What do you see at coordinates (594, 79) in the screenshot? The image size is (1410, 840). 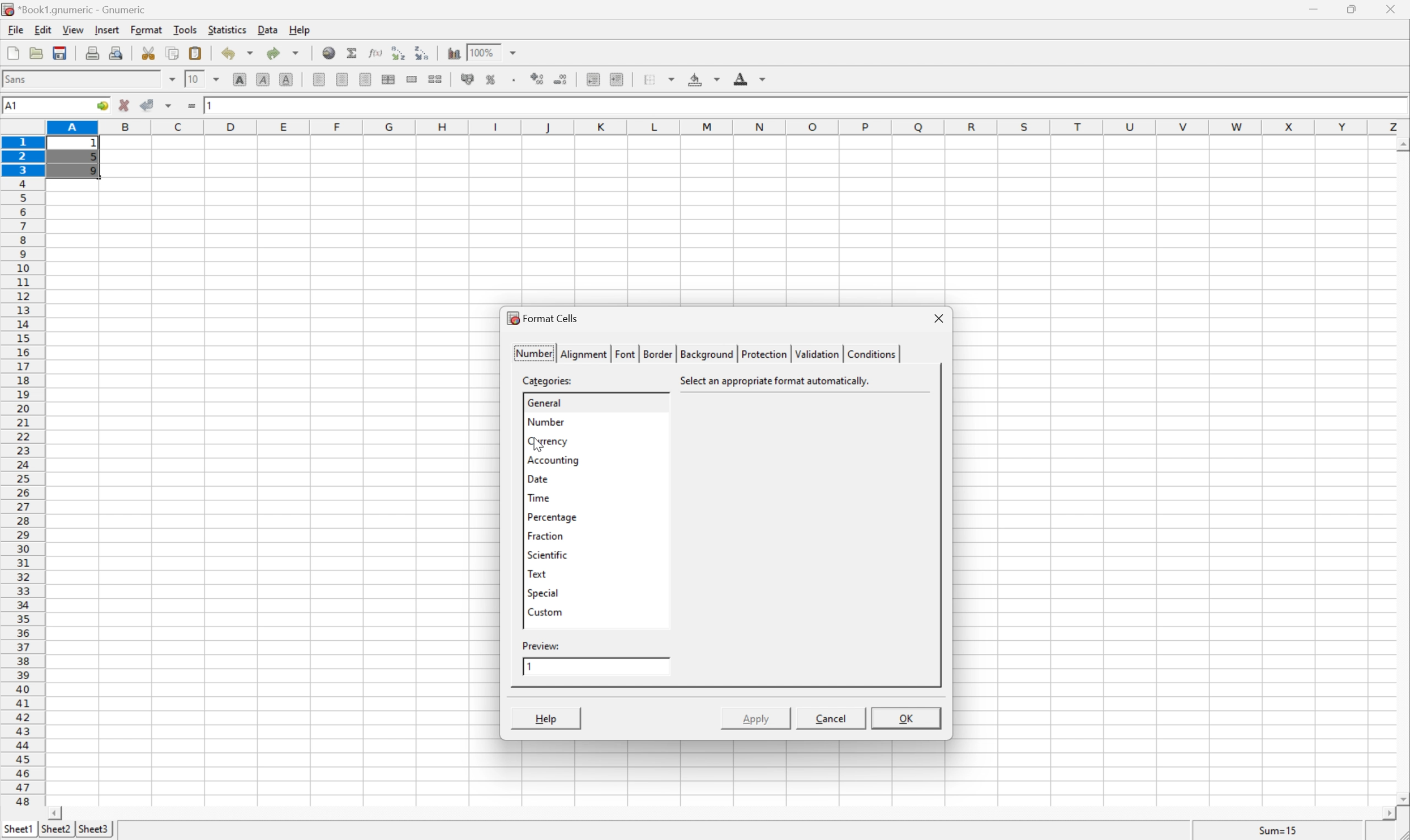 I see `decrease indent` at bounding box center [594, 79].